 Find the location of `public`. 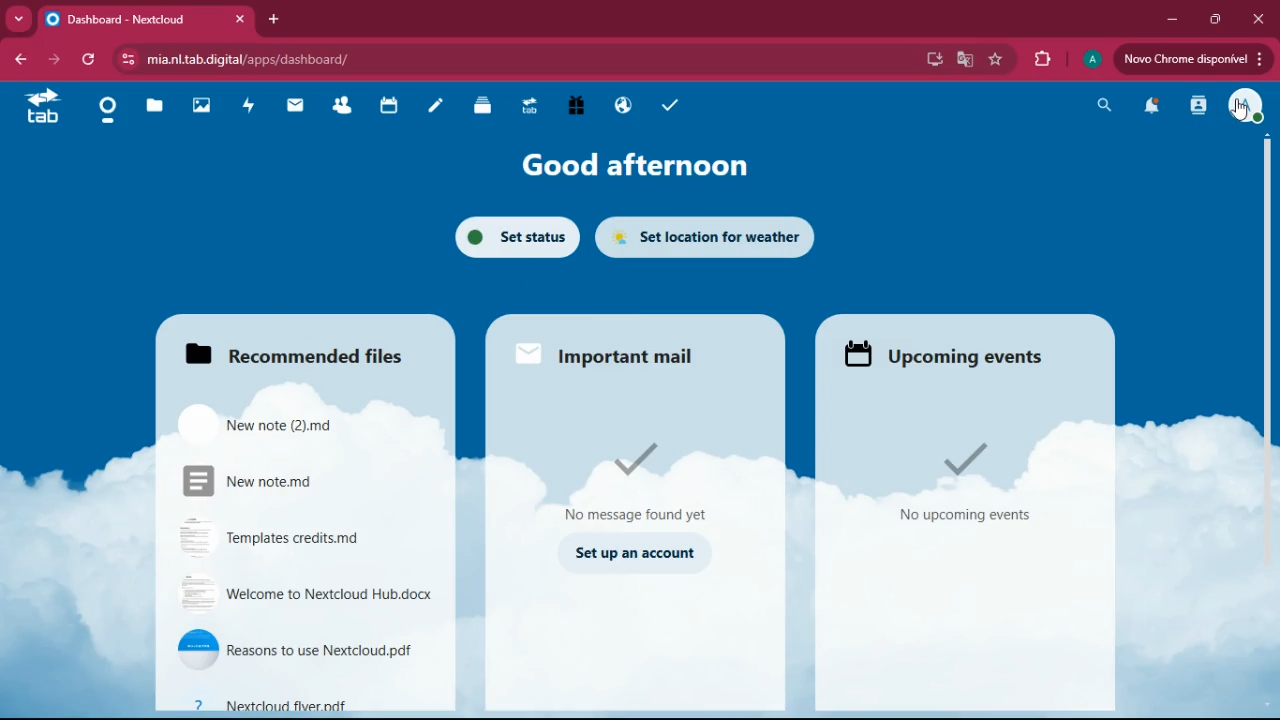

public is located at coordinates (624, 106).